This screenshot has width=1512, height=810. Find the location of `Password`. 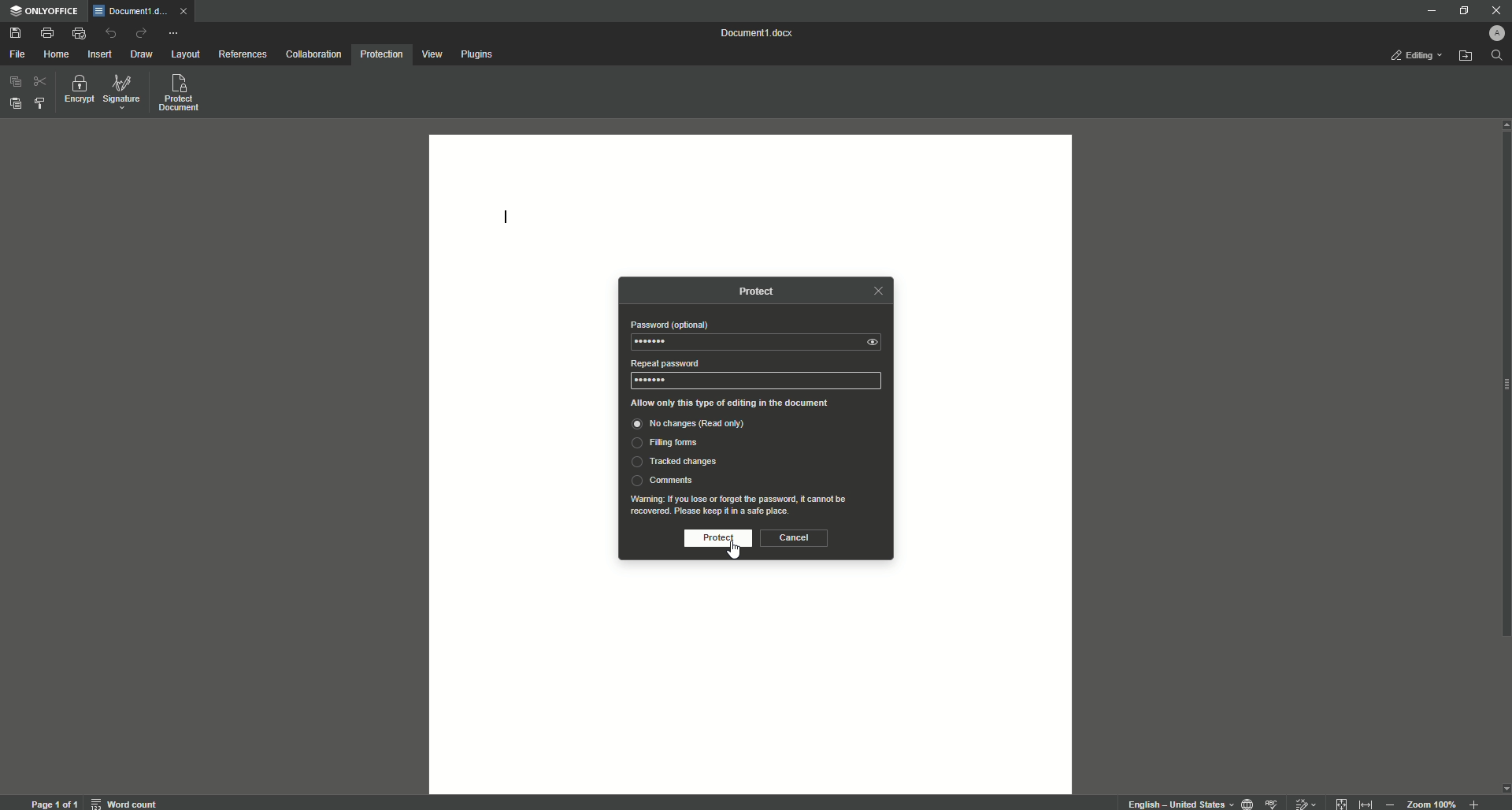

Password is located at coordinates (654, 342).